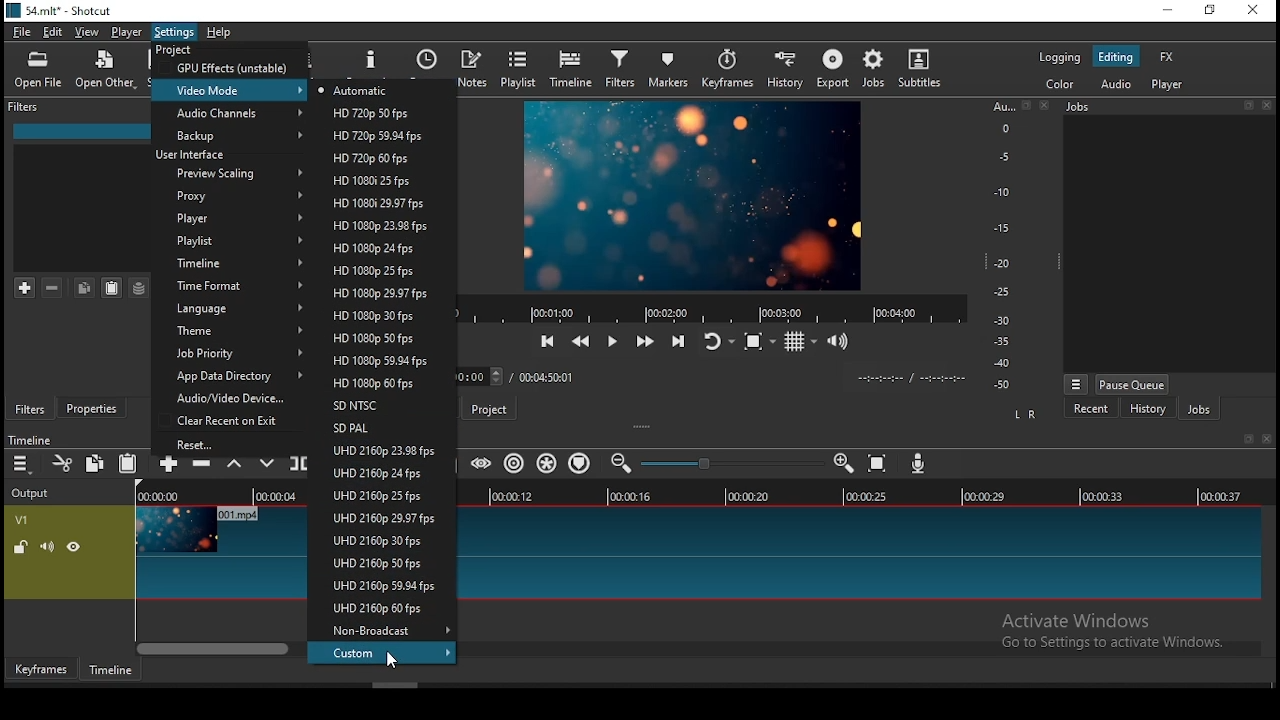 The image size is (1280, 720). What do you see at coordinates (380, 517) in the screenshot?
I see `resolution option` at bounding box center [380, 517].